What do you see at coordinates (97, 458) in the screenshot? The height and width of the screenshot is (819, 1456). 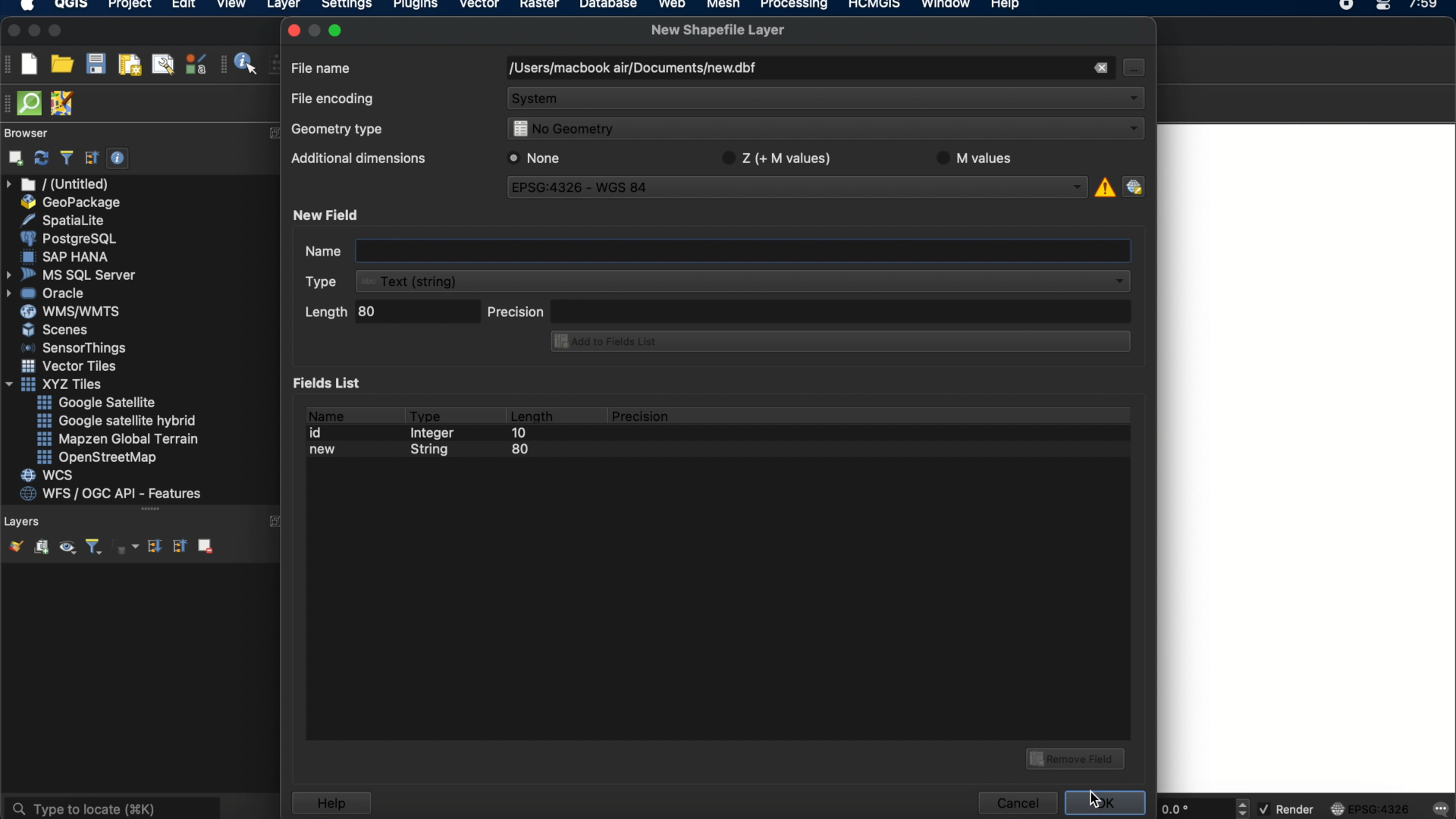 I see `openstreetmap` at bounding box center [97, 458].